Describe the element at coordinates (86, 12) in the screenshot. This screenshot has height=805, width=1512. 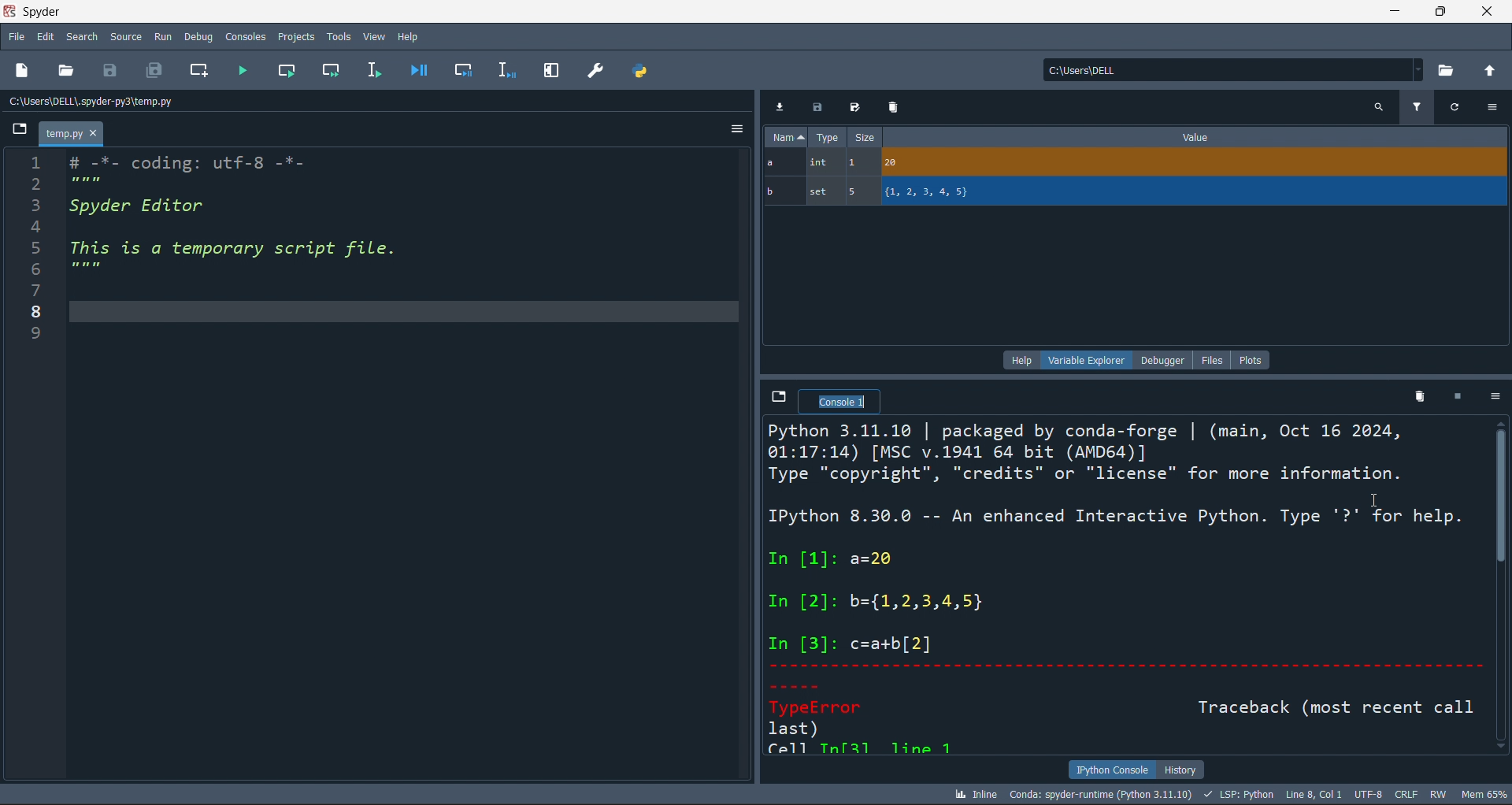
I see `Spyder` at that location.